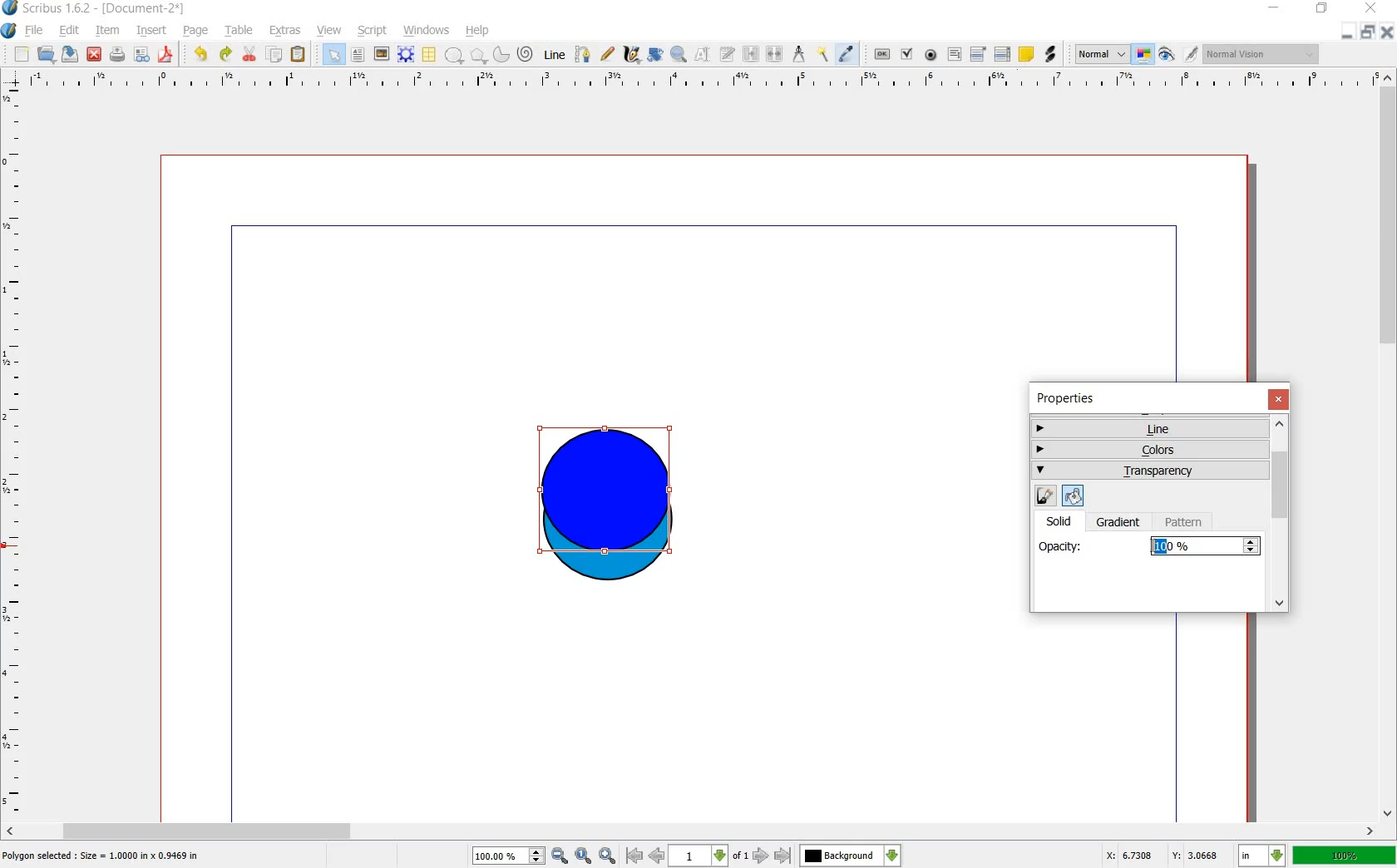 This screenshot has height=868, width=1397. Describe the element at coordinates (240, 31) in the screenshot. I see `table` at that location.